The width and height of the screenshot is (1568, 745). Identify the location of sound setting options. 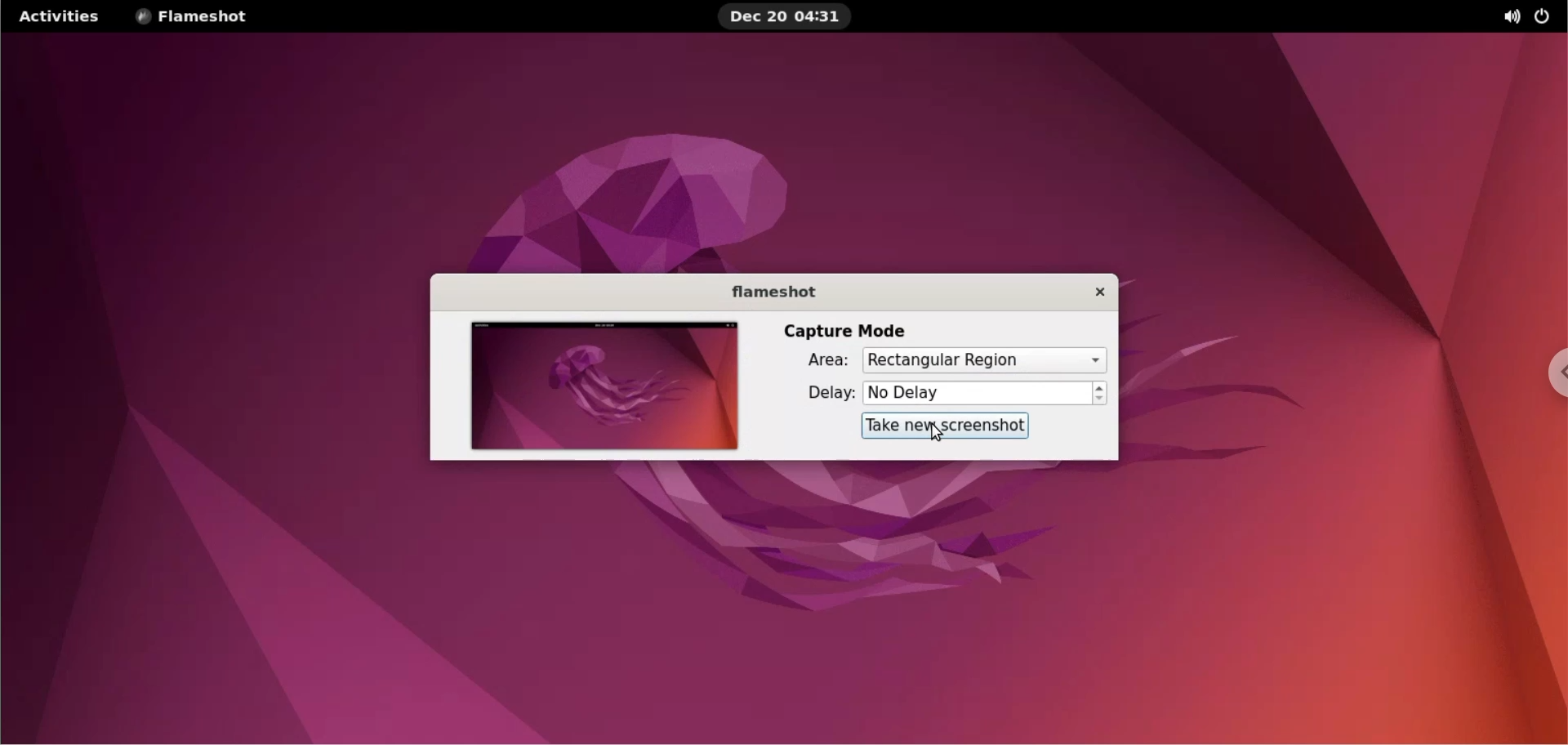
(1506, 16).